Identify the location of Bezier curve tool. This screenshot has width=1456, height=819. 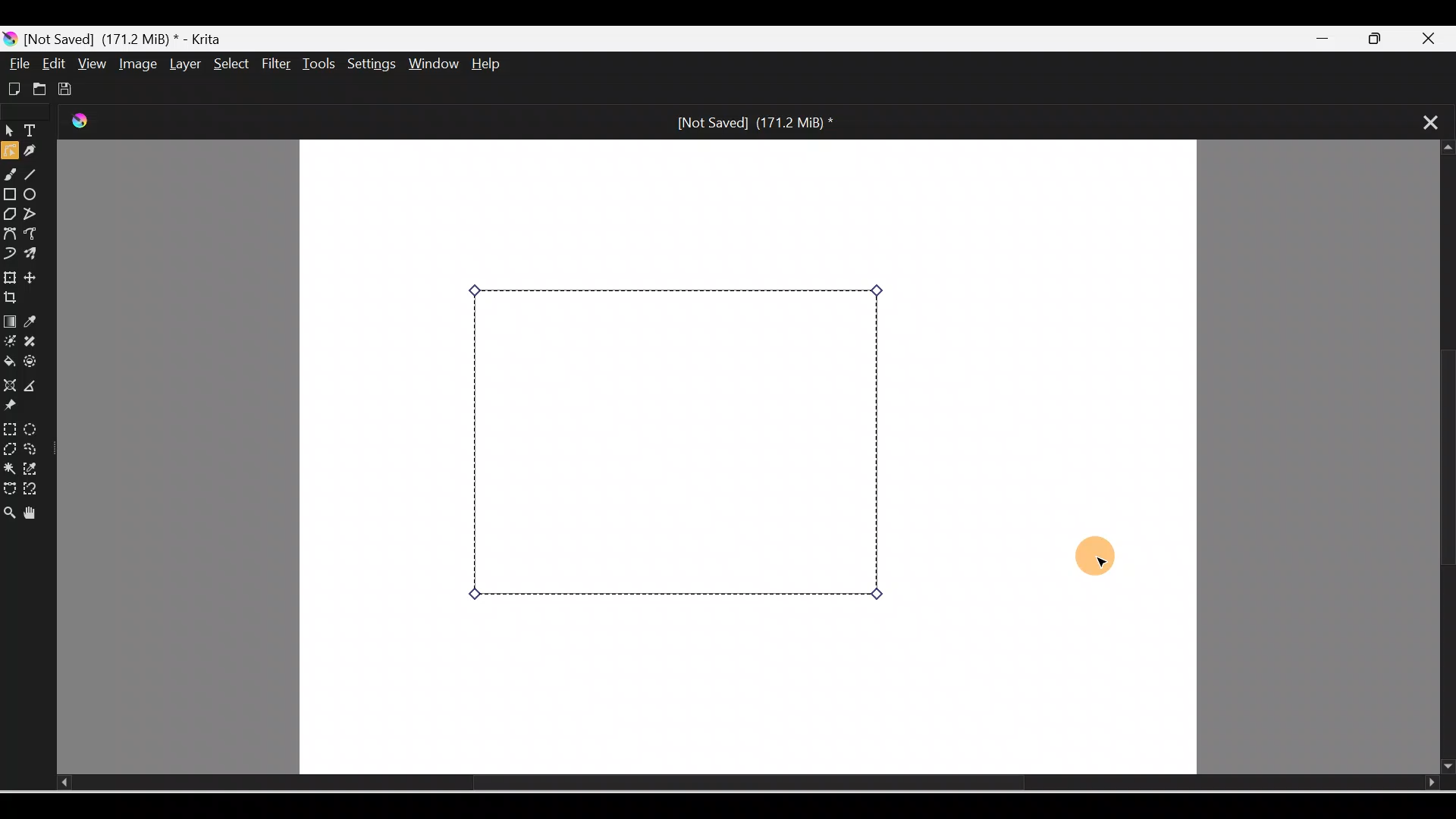
(11, 233).